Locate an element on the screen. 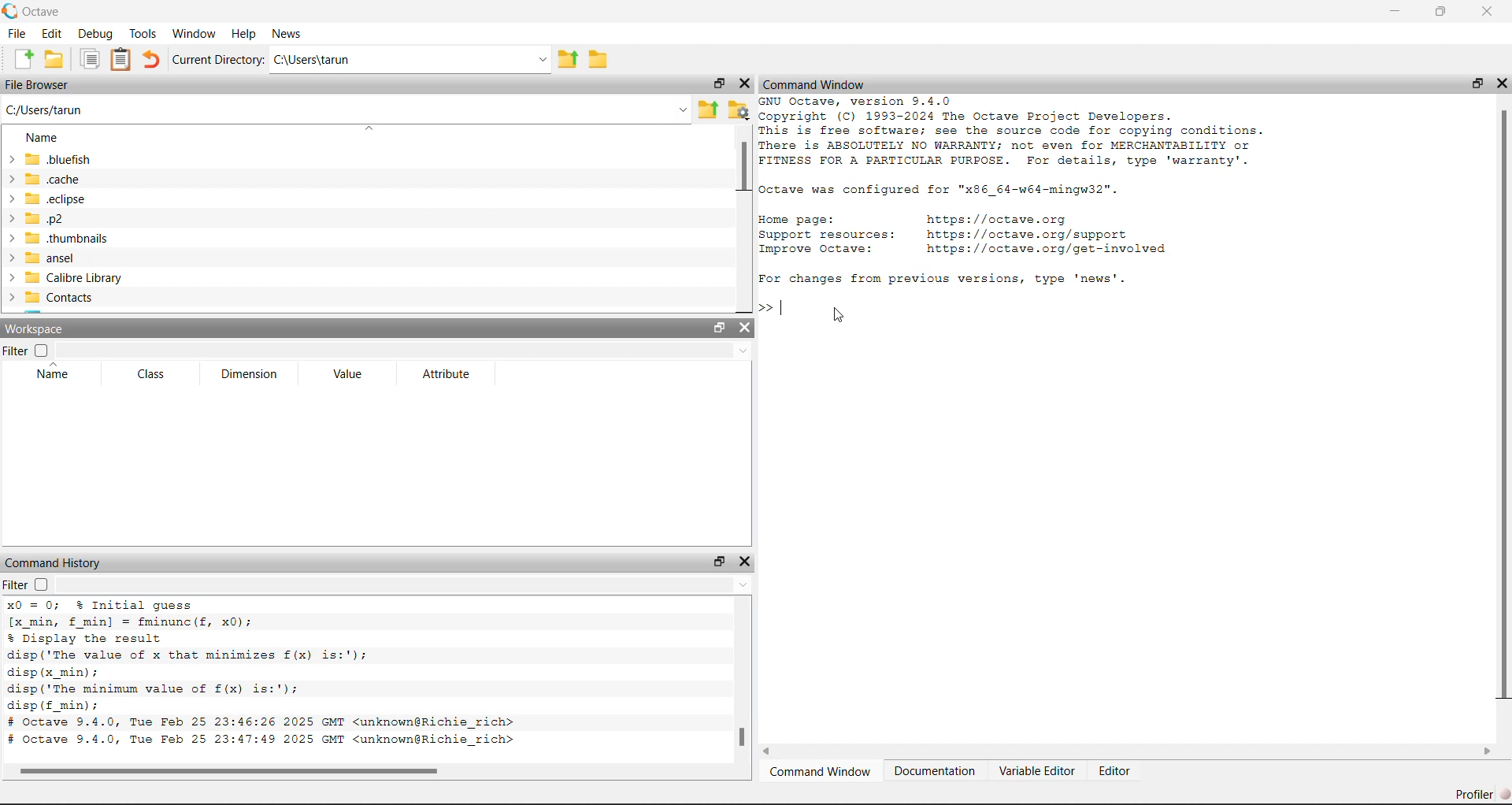 This screenshot has height=805, width=1512. Maximize/Restore is located at coordinates (1441, 12).